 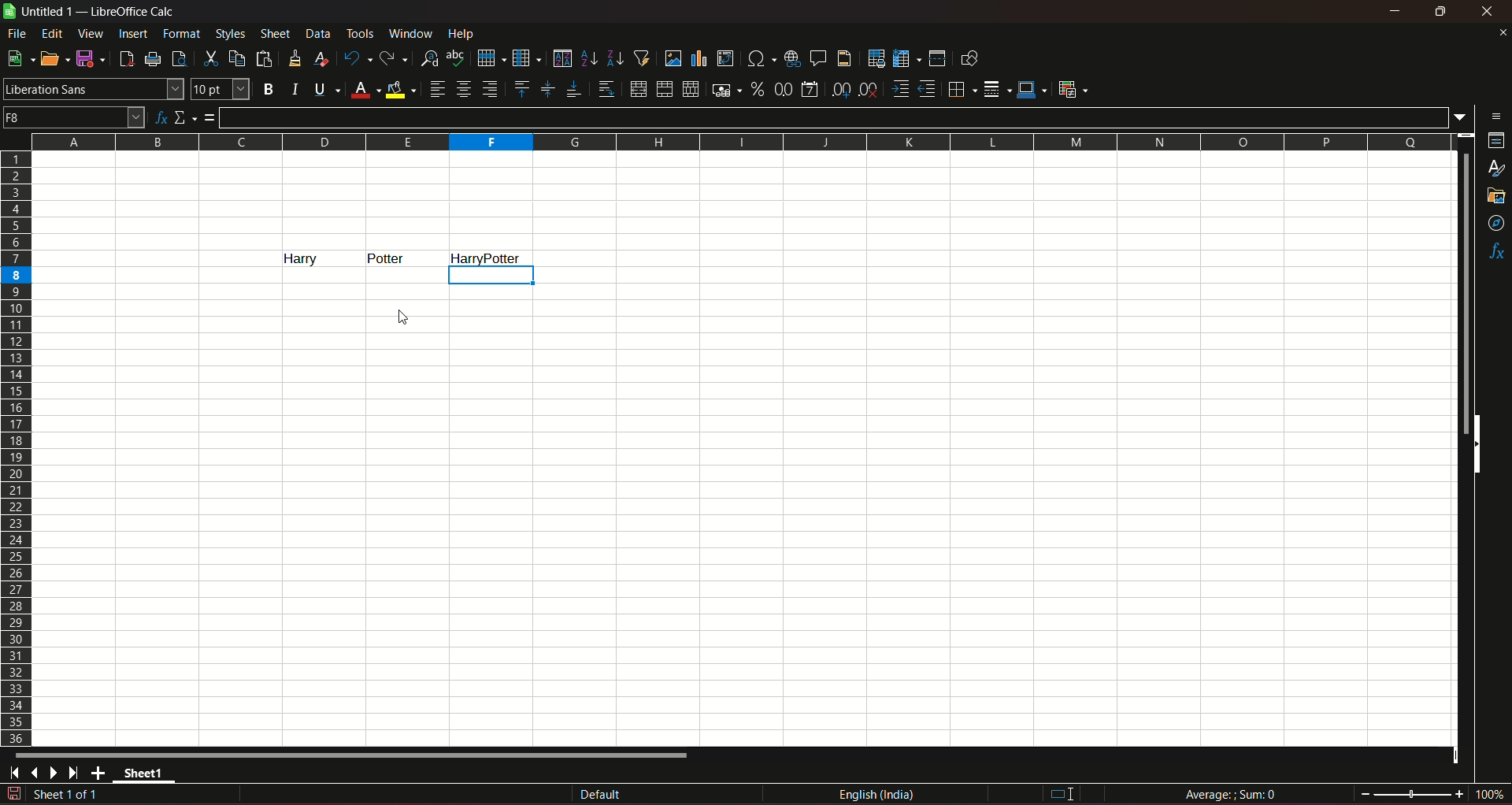 What do you see at coordinates (296, 57) in the screenshot?
I see `clone formatting` at bounding box center [296, 57].